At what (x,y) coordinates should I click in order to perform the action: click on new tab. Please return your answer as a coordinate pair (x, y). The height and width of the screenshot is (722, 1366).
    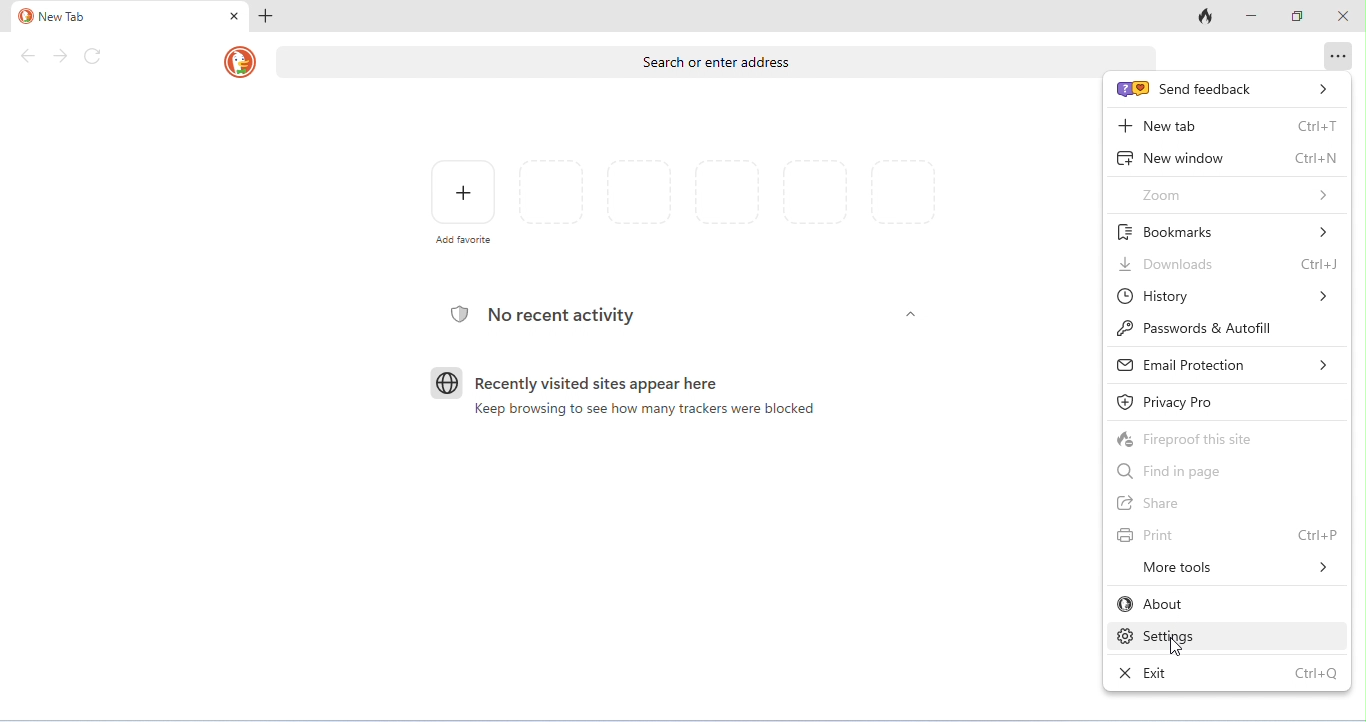
    Looking at the image, I should click on (1226, 125).